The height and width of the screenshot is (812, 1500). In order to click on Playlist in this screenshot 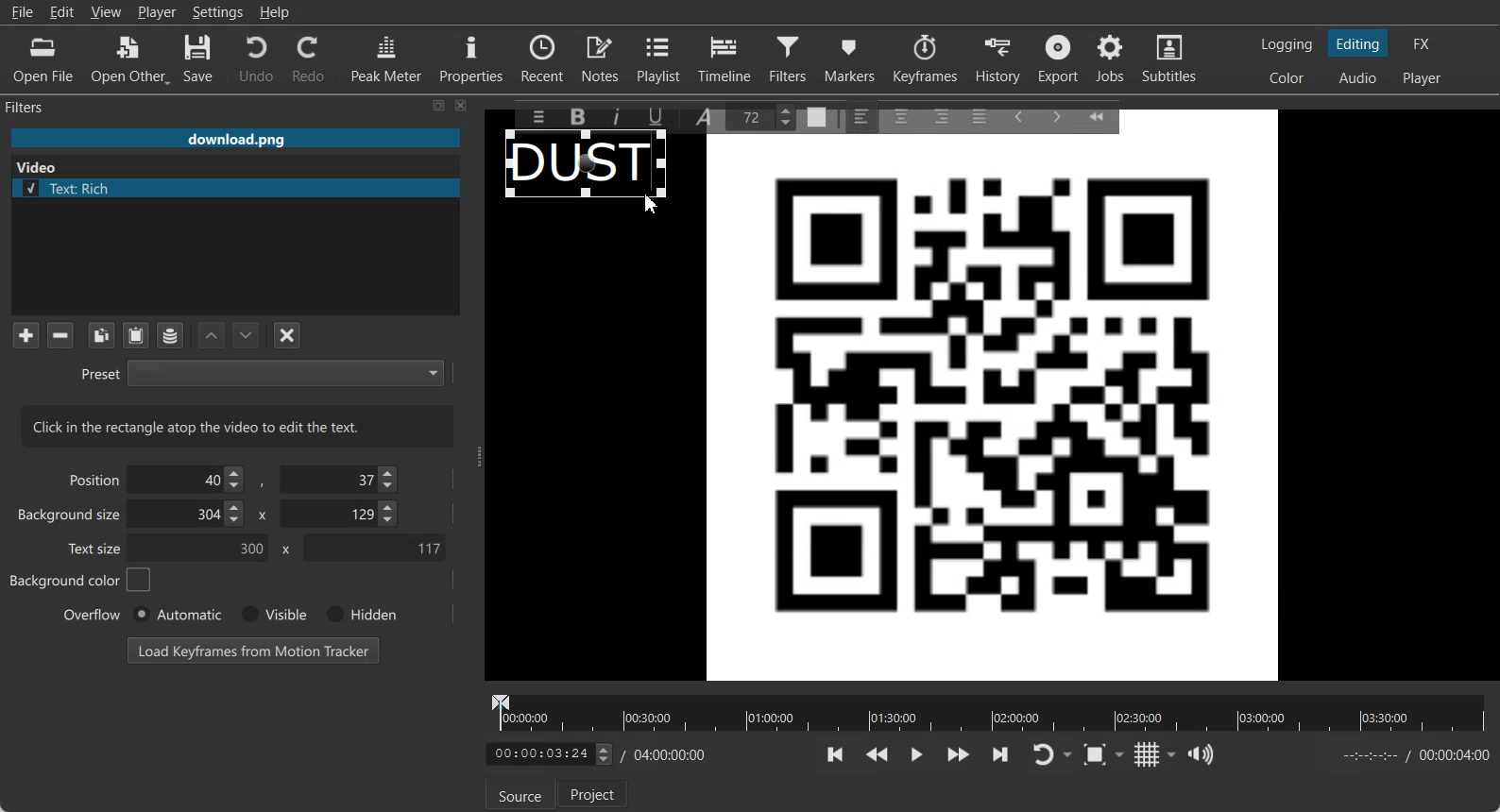, I will do `click(661, 58)`.